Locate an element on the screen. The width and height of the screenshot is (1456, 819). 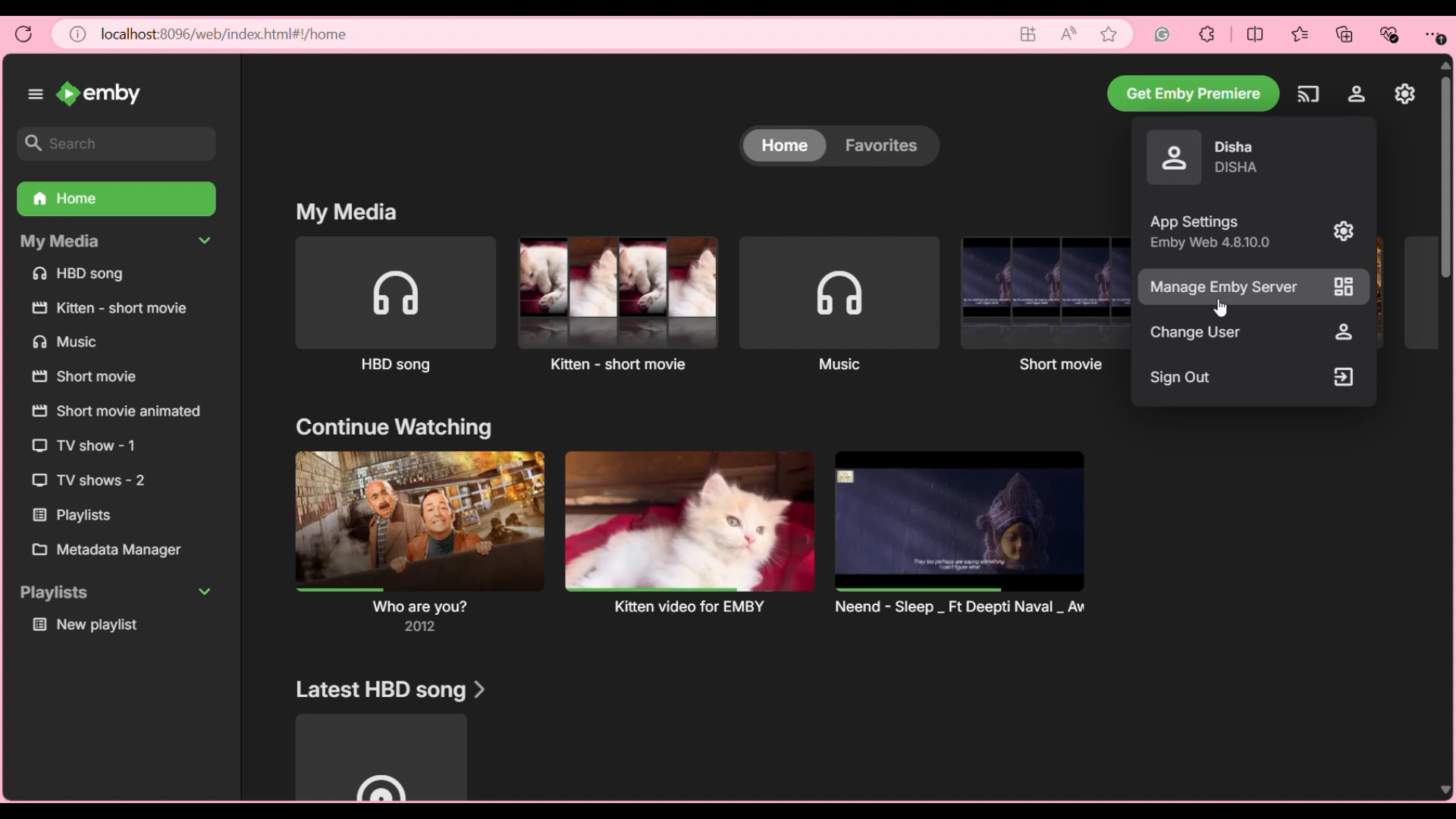
Browser settings is located at coordinates (1434, 35).